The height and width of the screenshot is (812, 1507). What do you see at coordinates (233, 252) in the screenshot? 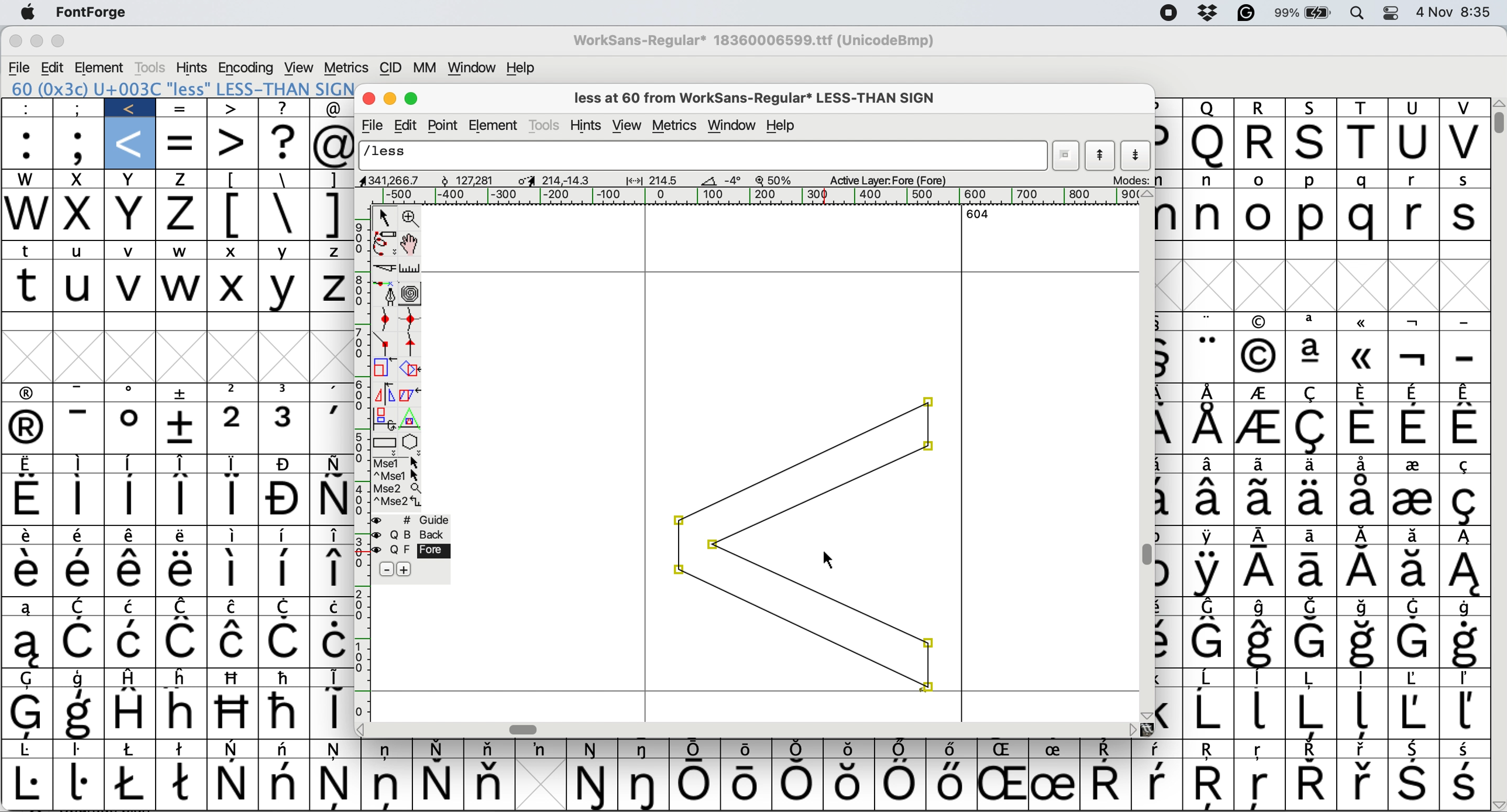
I see `x` at bounding box center [233, 252].